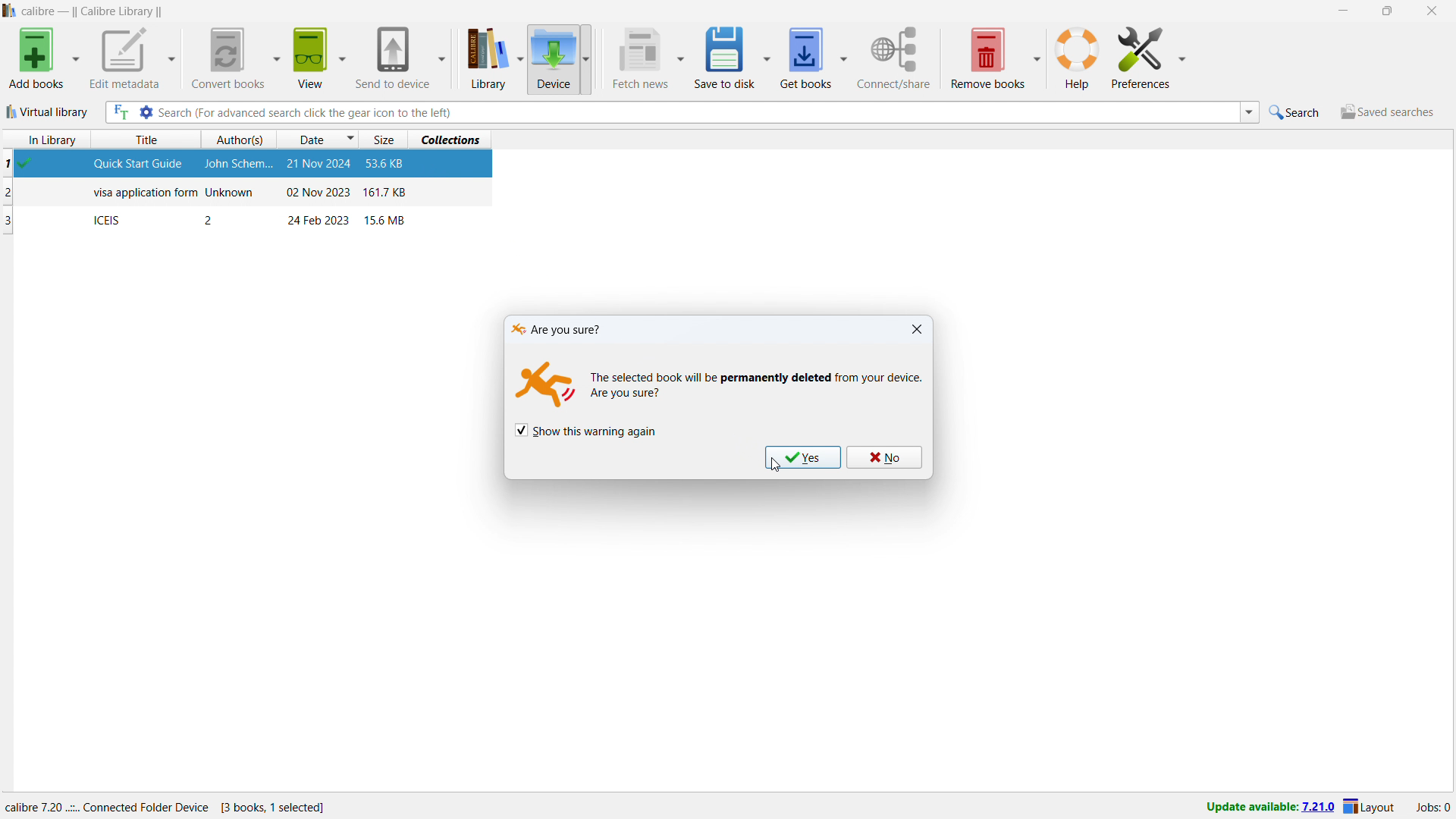 The image size is (1456, 819). Describe the element at coordinates (886, 457) in the screenshot. I see `no` at that location.